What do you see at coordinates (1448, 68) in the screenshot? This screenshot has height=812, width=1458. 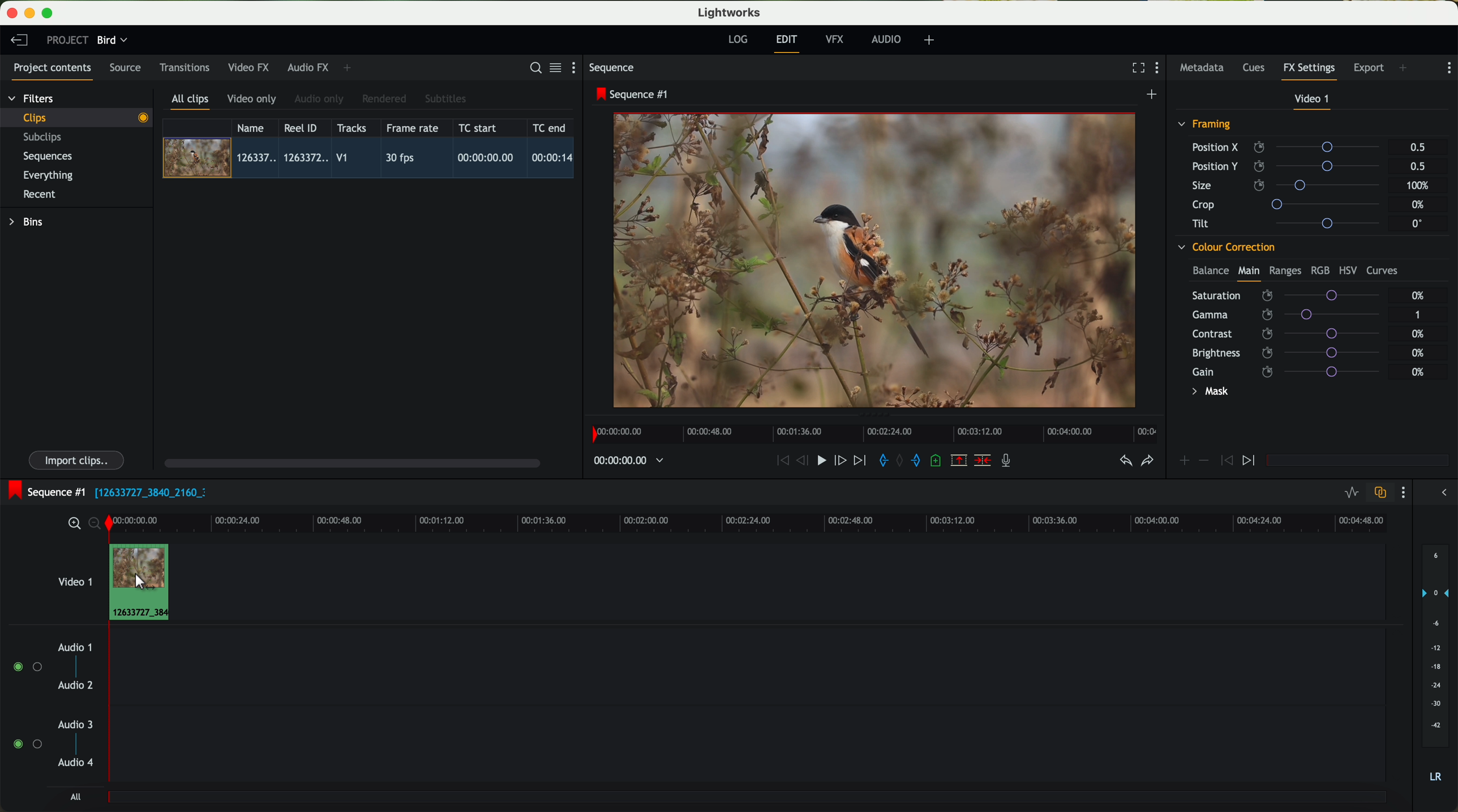 I see `show settings menu` at bounding box center [1448, 68].